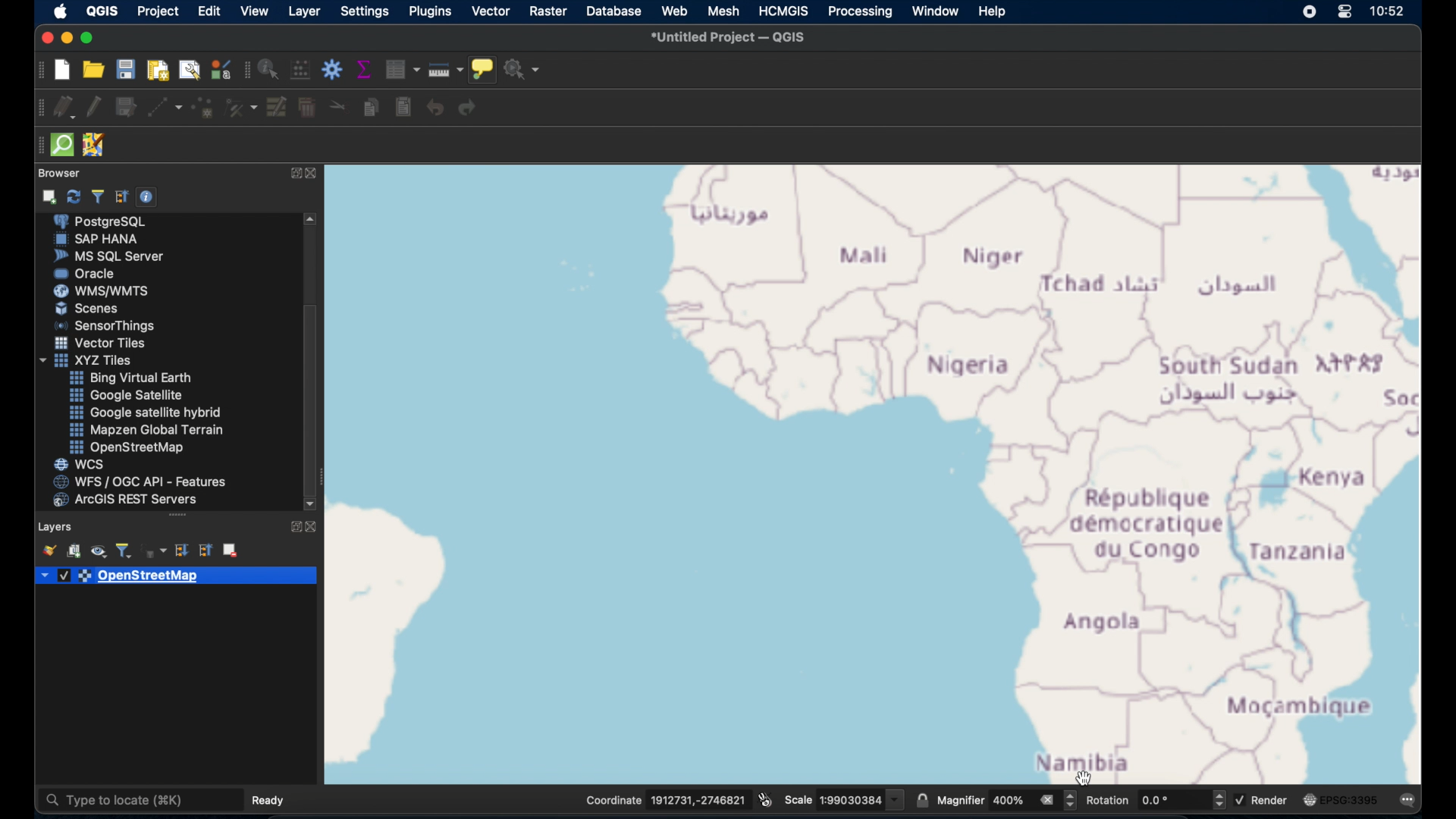 The width and height of the screenshot is (1456, 819). Describe the element at coordinates (1347, 801) in the screenshot. I see `EPSG: 3857` at that location.